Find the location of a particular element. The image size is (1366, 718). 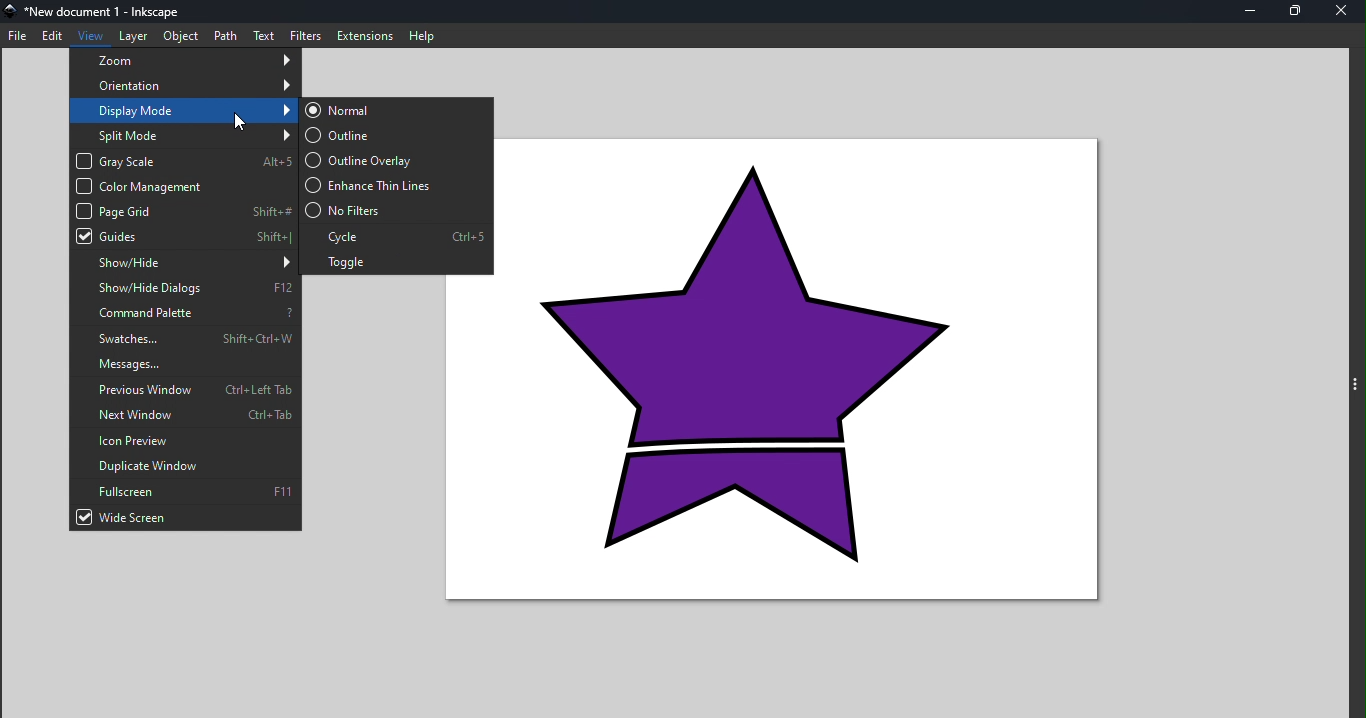

Toggle is located at coordinates (395, 261).